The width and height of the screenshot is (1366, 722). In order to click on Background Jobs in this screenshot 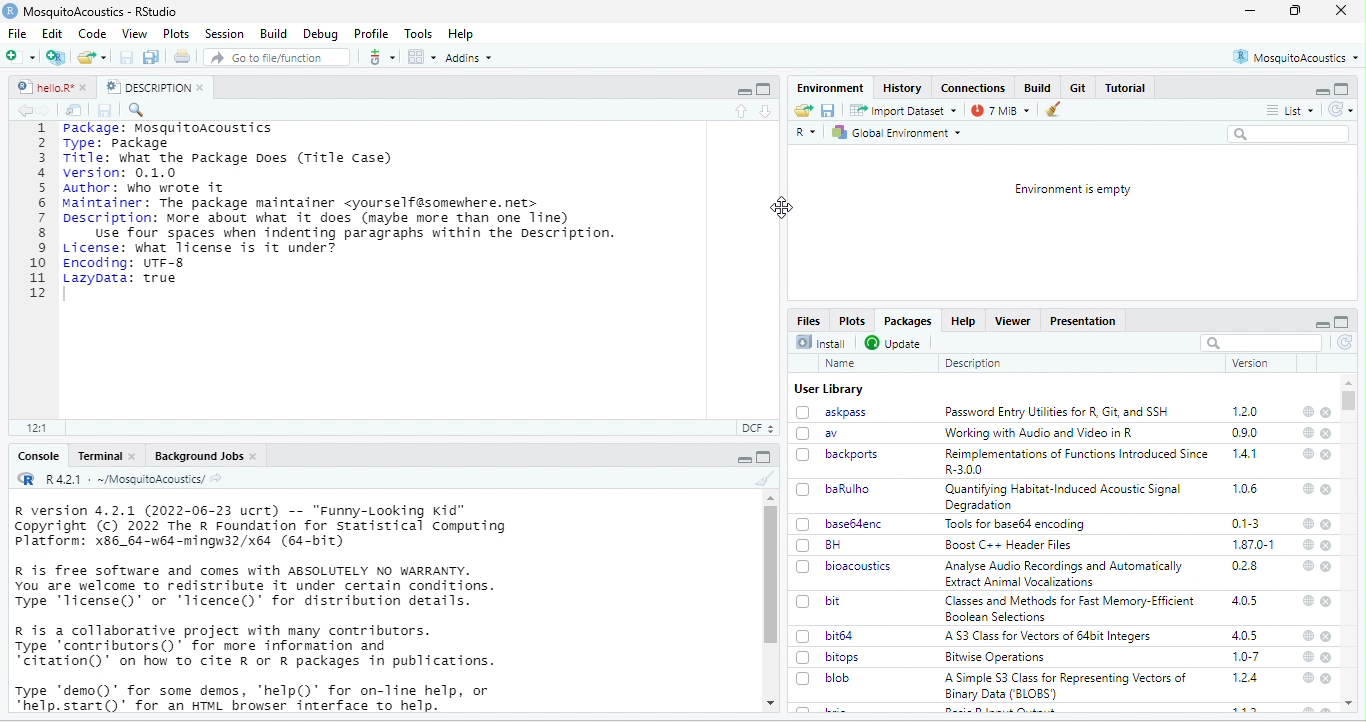, I will do `click(204, 455)`.